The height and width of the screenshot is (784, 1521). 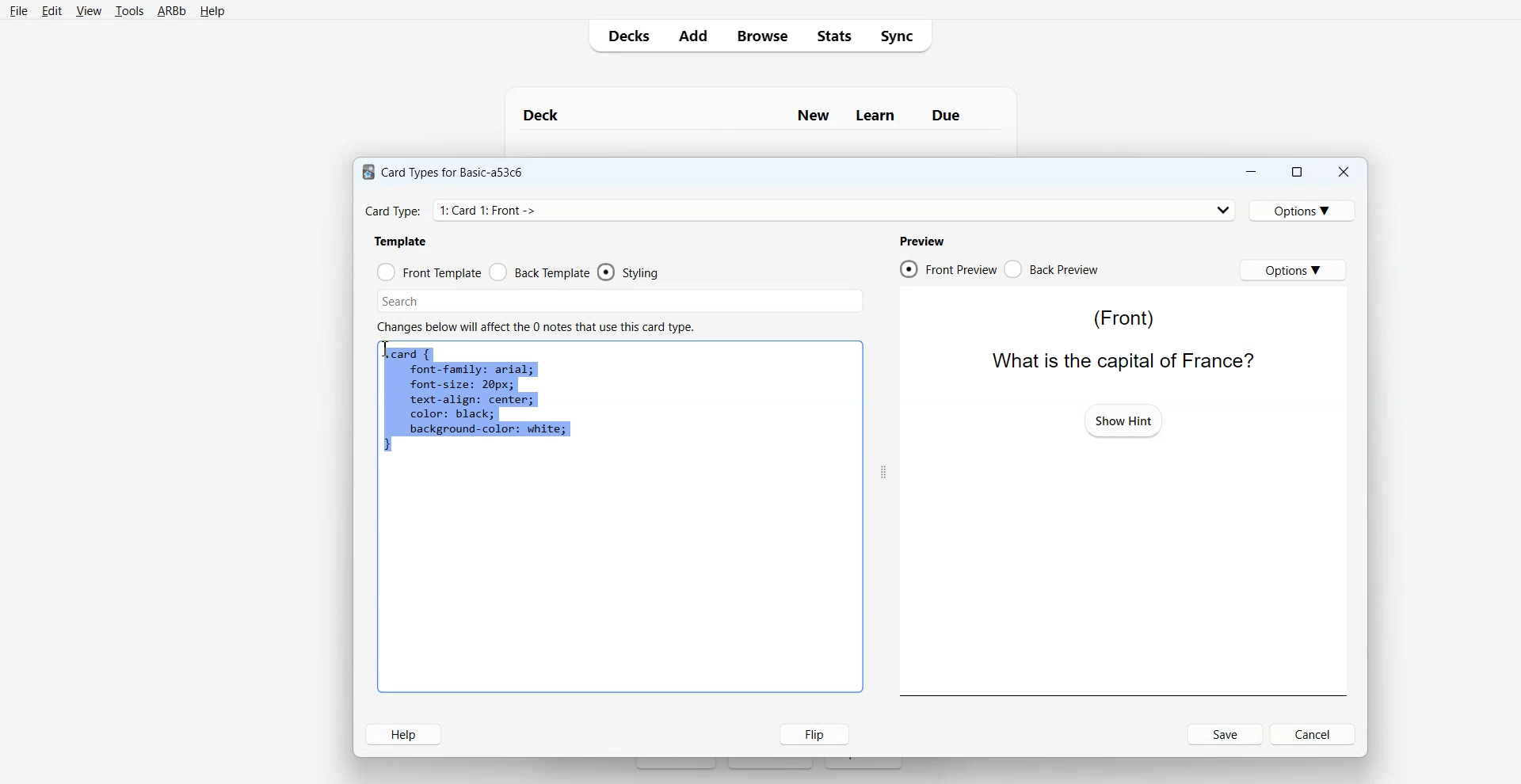 What do you see at coordinates (477, 402) in the screenshot?
I see `.card {
font-family: arial;
font-size: 20px;
text-align: center;
color: black;

| Jpackground-color: white;

i` at bounding box center [477, 402].